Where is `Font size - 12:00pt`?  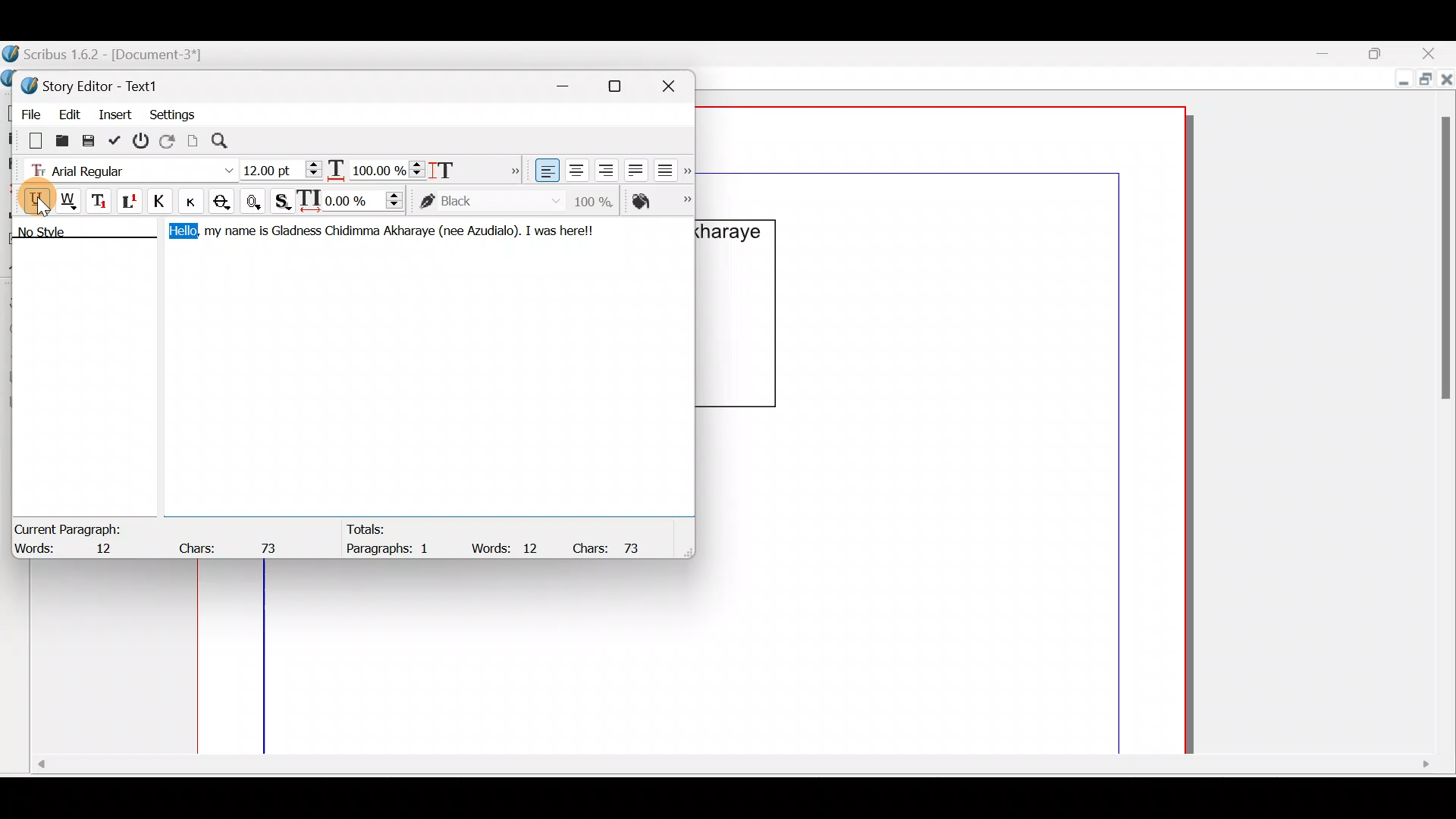 Font size - 12:00pt is located at coordinates (283, 170).